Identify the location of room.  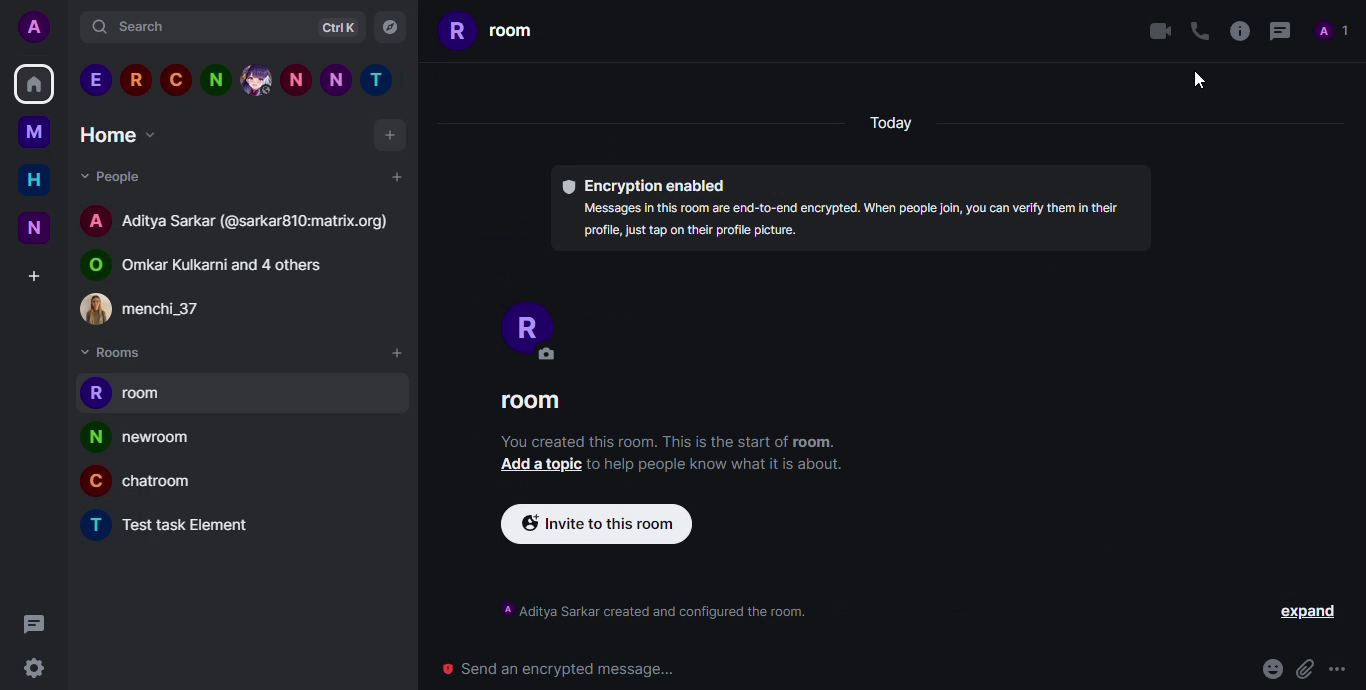
(162, 442).